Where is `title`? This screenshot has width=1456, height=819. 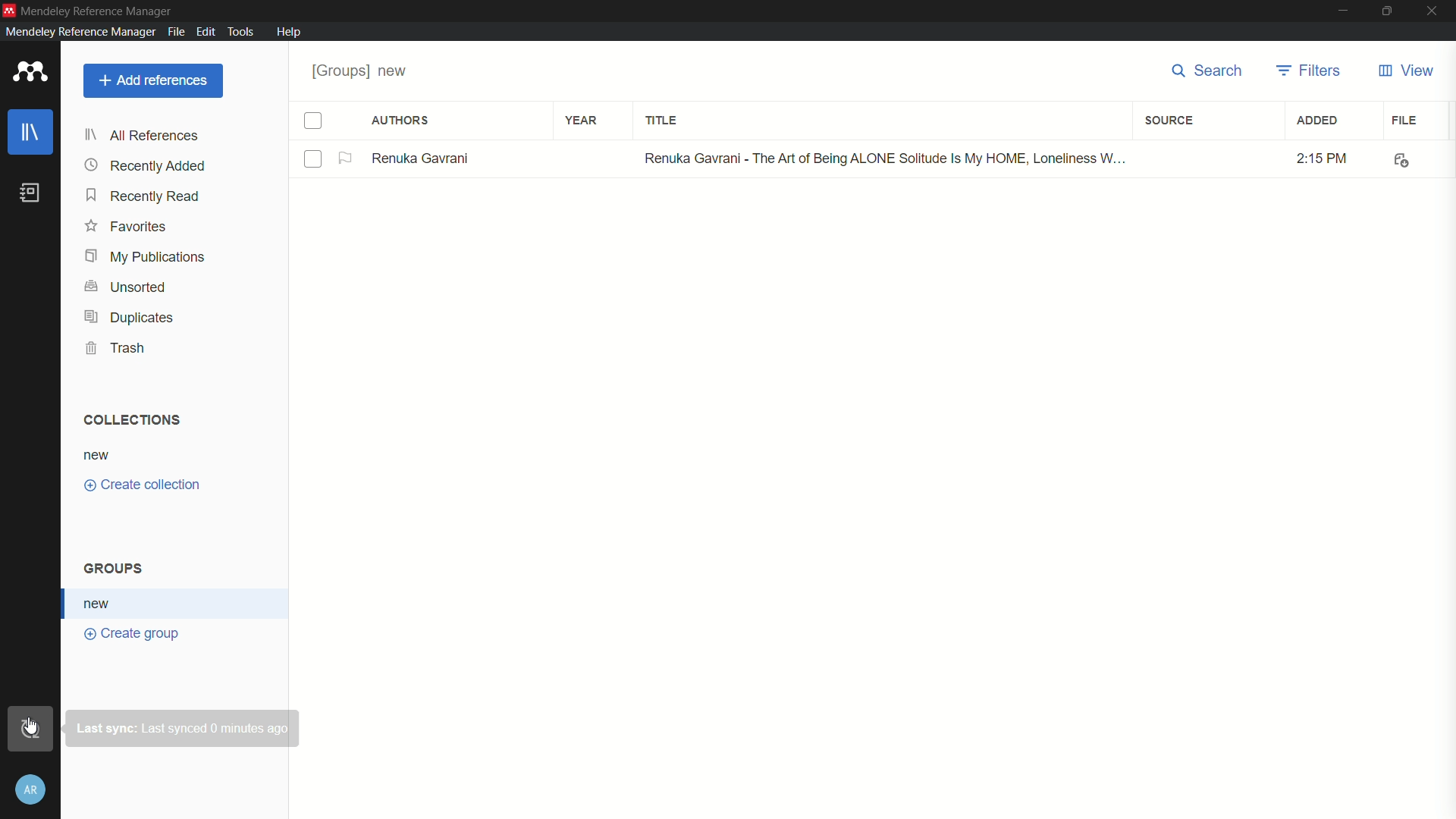
title is located at coordinates (661, 121).